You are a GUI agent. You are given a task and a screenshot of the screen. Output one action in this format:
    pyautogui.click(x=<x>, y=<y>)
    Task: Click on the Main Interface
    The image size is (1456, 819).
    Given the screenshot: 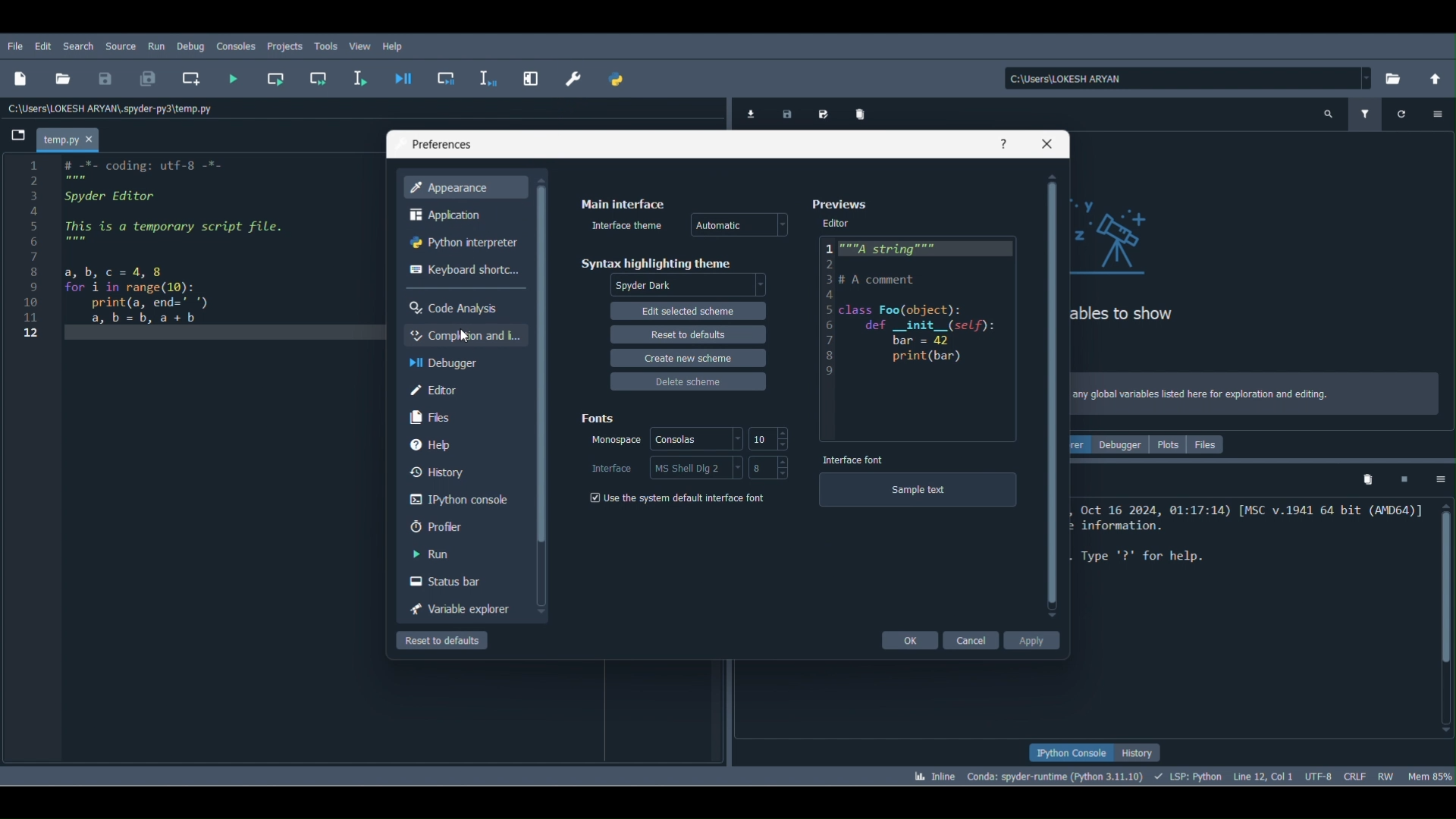 What is the action you would take?
    pyautogui.click(x=619, y=201)
    